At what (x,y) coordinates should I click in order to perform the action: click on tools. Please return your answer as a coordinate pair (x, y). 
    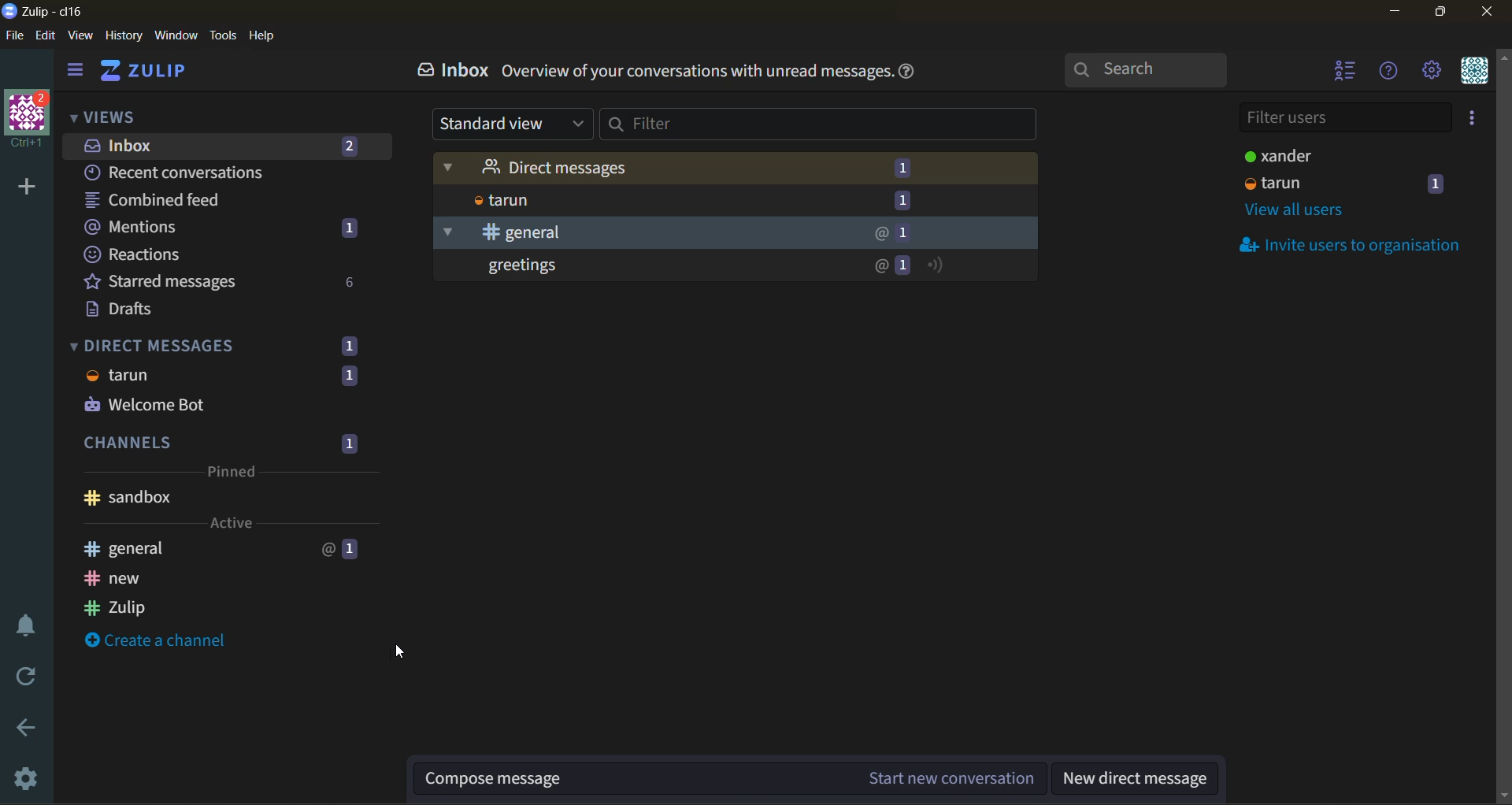
    Looking at the image, I should click on (223, 33).